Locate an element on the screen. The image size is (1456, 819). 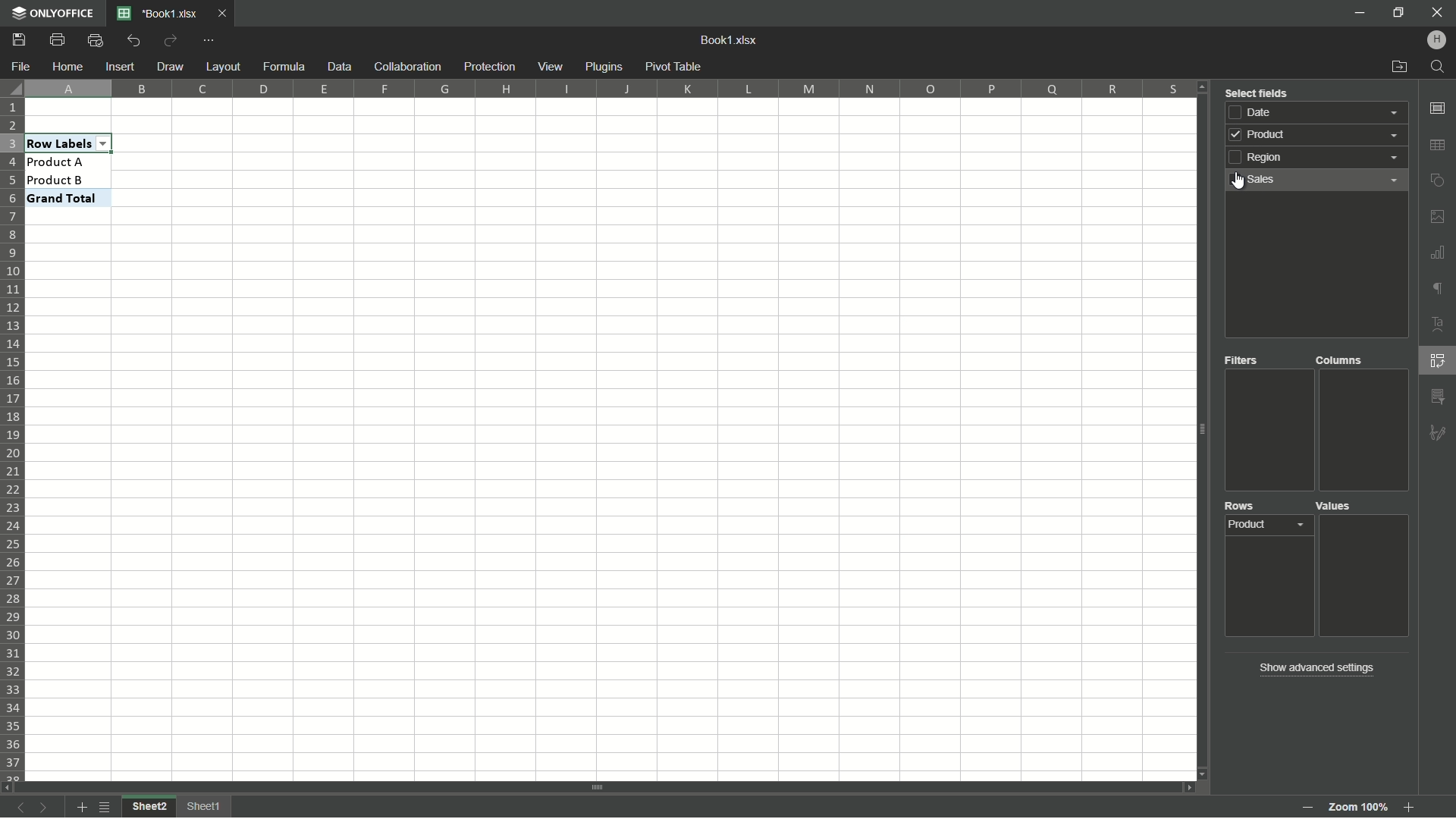
insert slicer is located at coordinates (1438, 395).